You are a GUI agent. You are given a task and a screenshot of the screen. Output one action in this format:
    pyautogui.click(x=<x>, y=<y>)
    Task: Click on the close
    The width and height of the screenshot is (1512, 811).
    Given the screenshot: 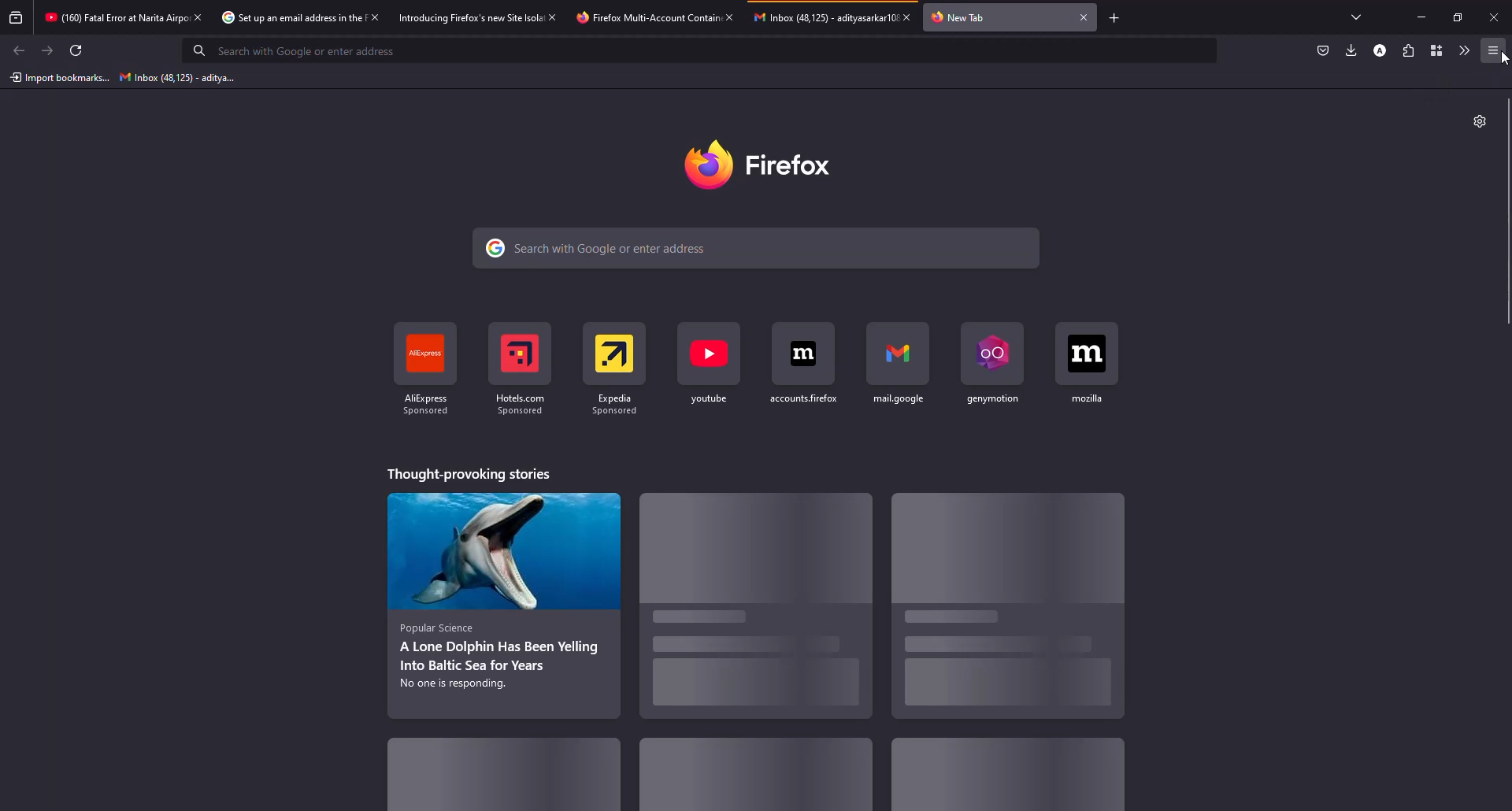 What is the action you would take?
    pyautogui.click(x=912, y=17)
    